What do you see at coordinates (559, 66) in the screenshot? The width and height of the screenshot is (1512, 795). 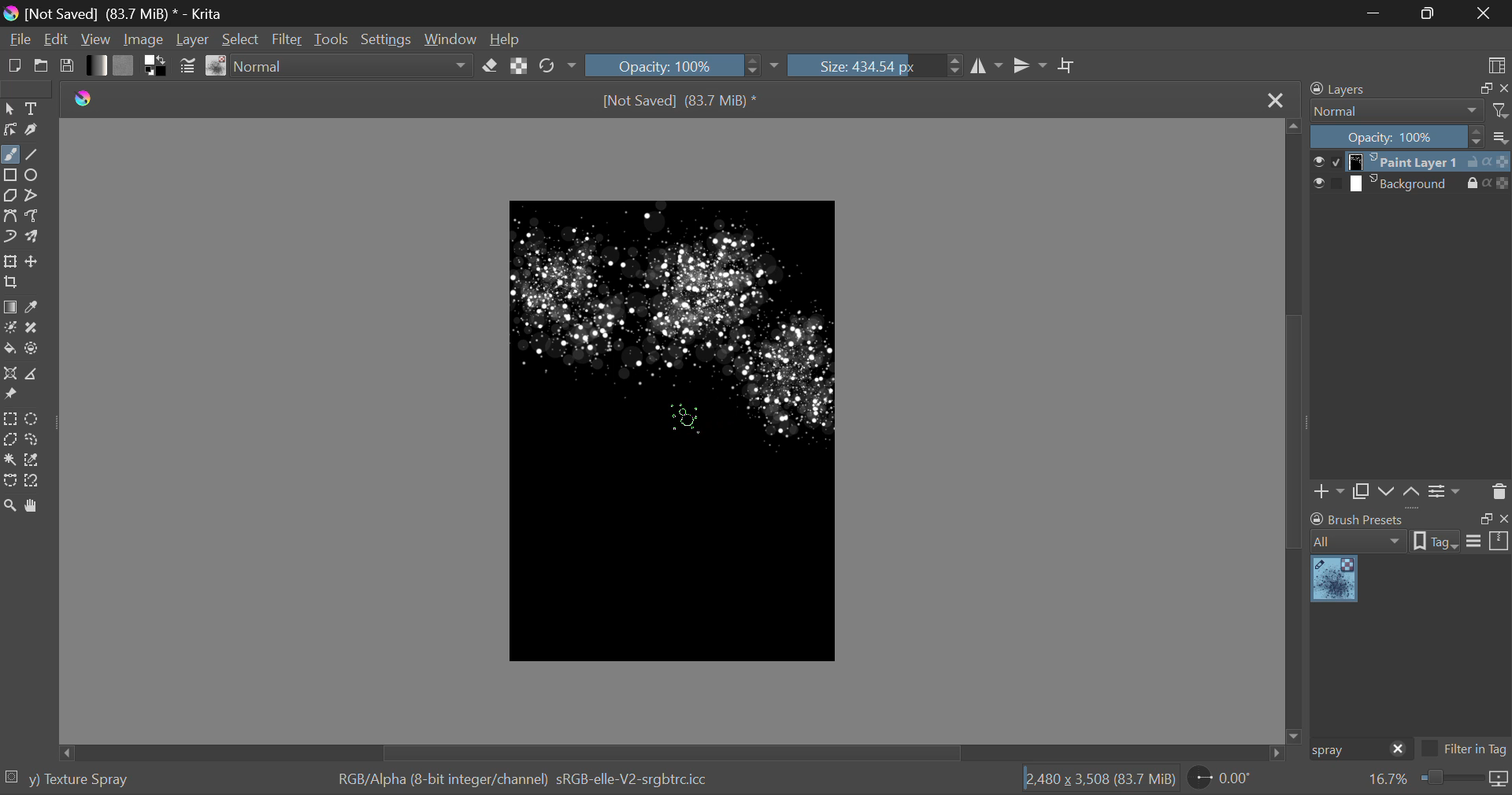 I see `Rotate` at bounding box center [559, 66].